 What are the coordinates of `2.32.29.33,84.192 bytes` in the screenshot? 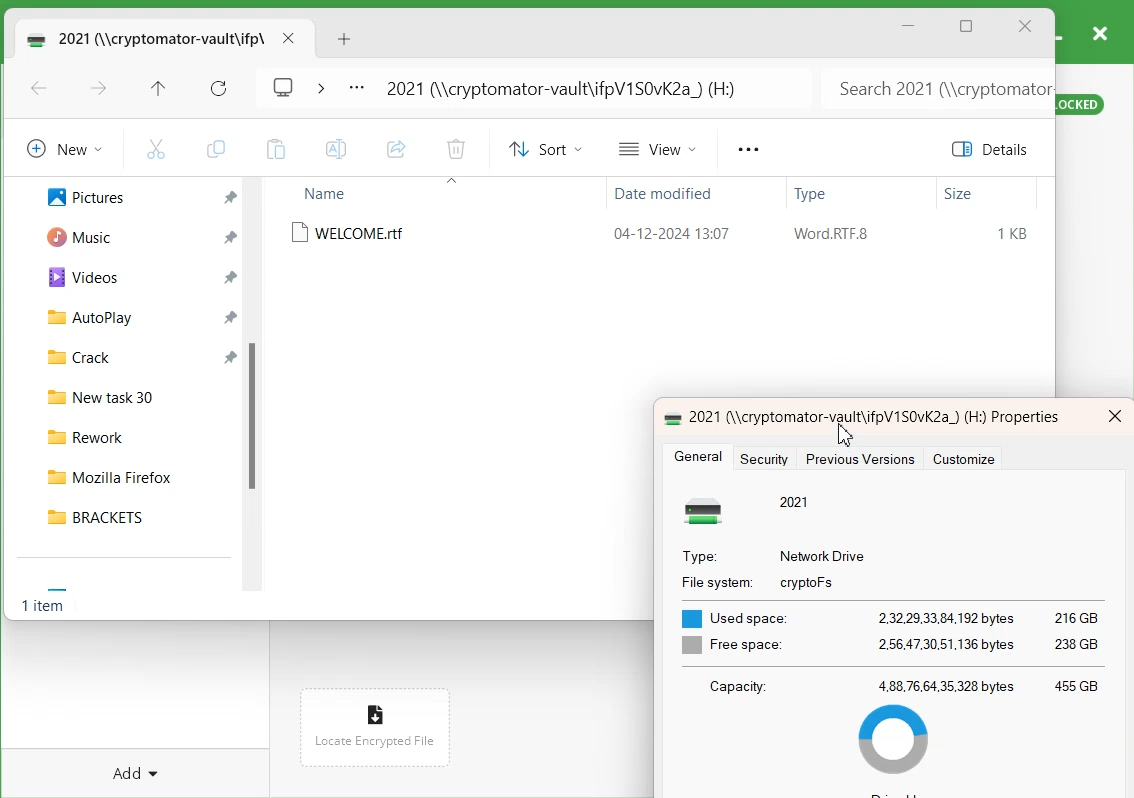 It's located at (947, 617).